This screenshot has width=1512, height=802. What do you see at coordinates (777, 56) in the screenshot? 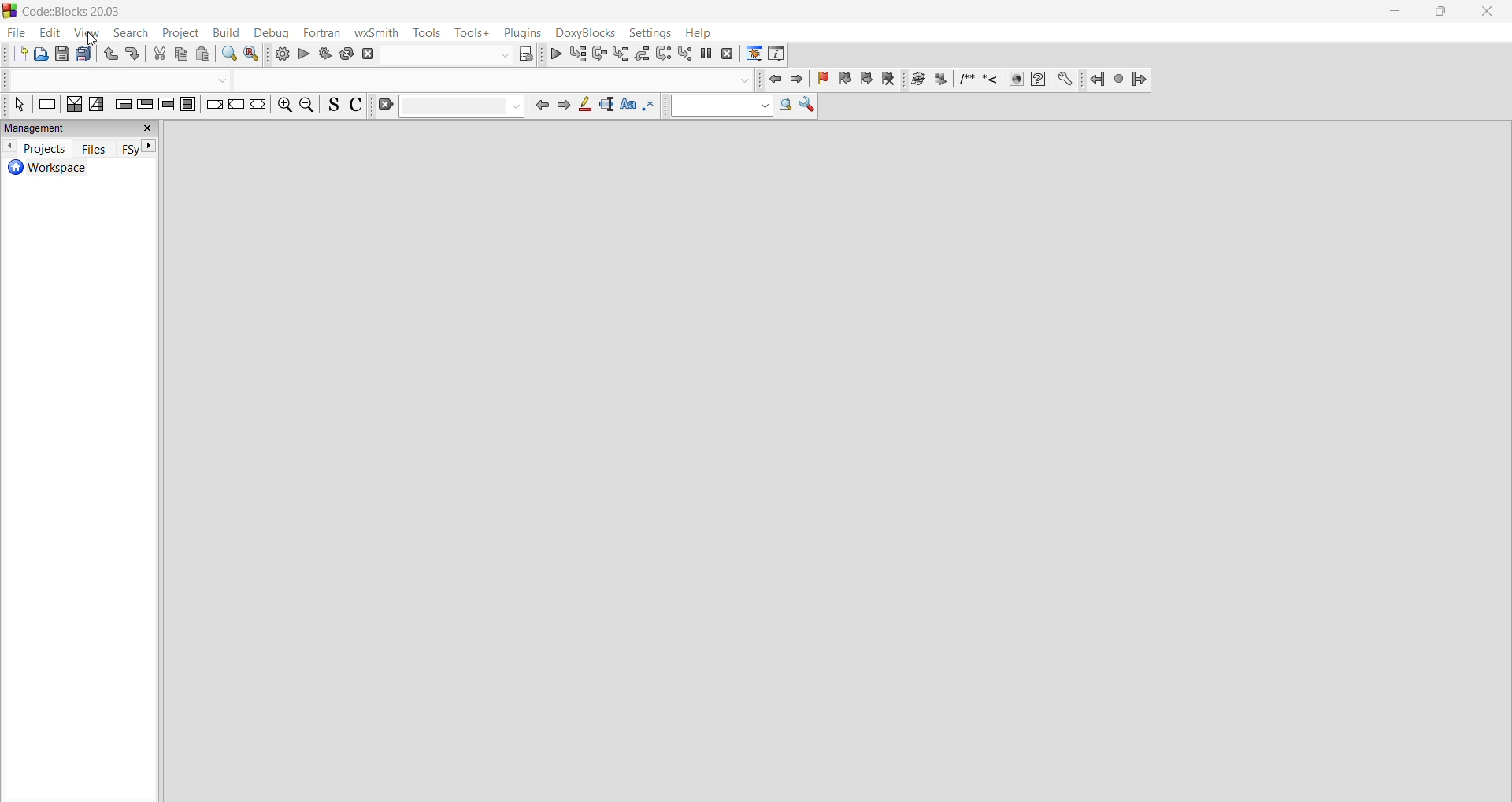
I see `various info` at bounding box center [777, 56].